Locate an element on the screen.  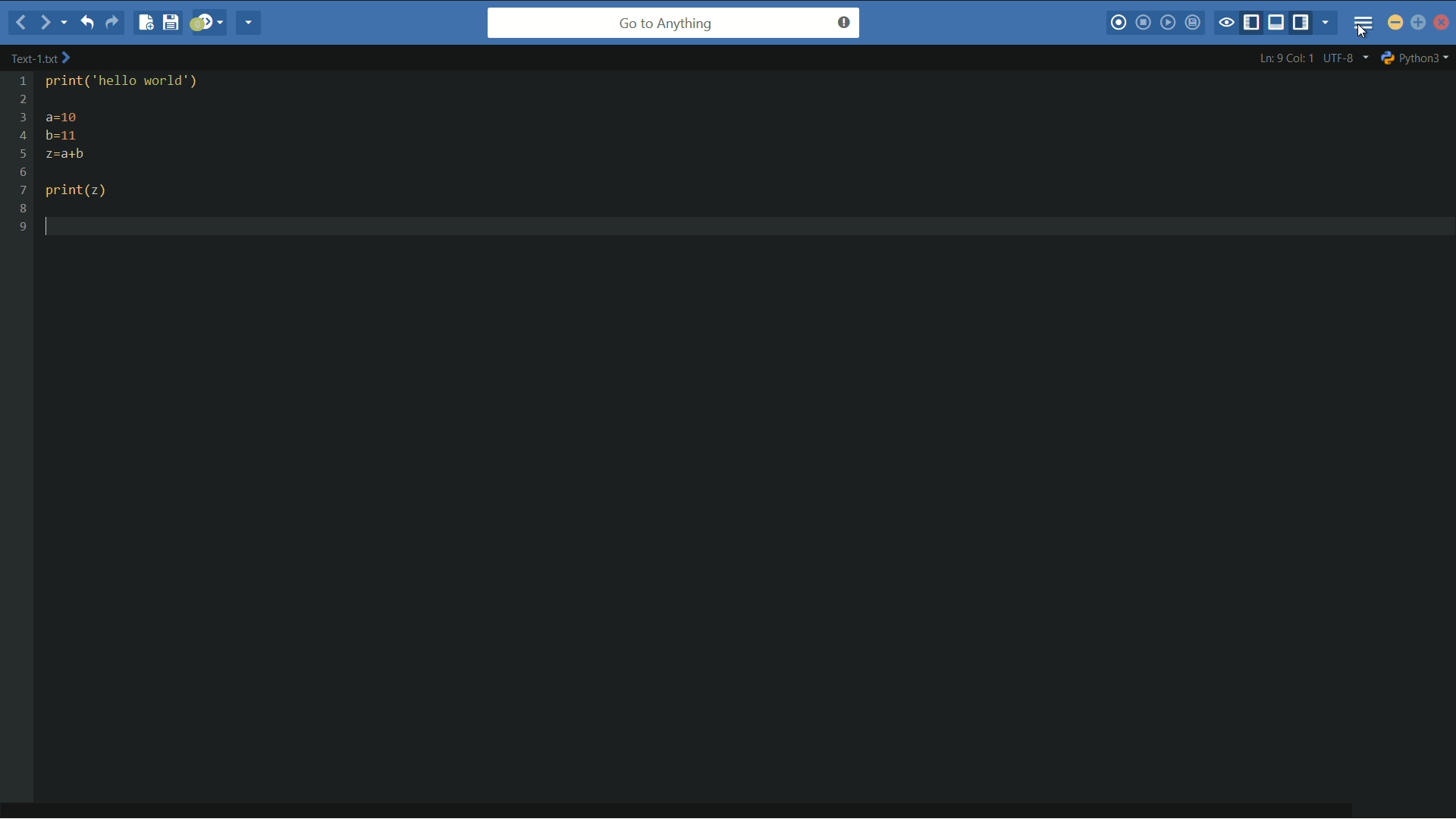
utf-8 is located at coordinates (1345, 58).